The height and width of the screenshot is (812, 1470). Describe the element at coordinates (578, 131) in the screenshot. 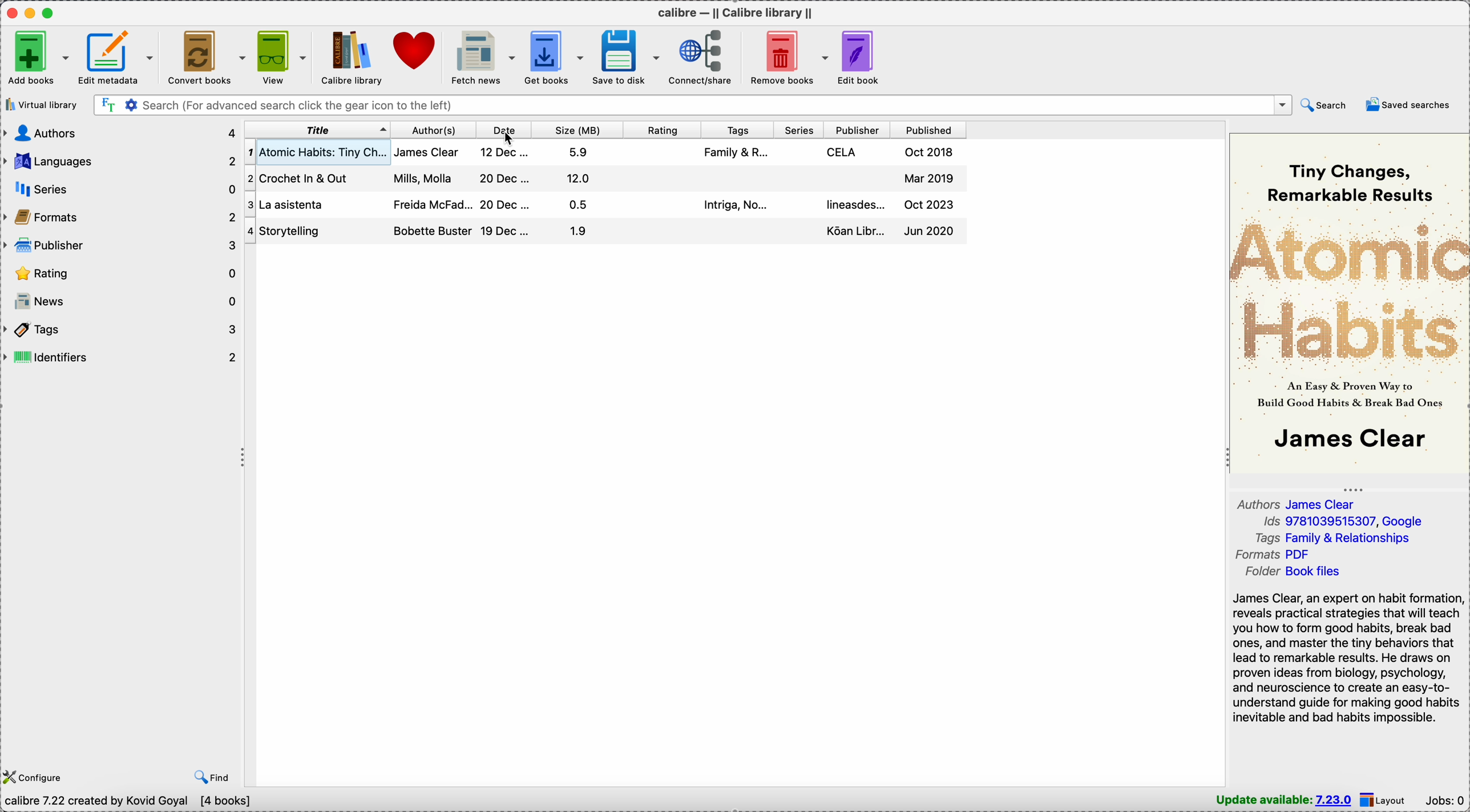

I see `size` at that location.